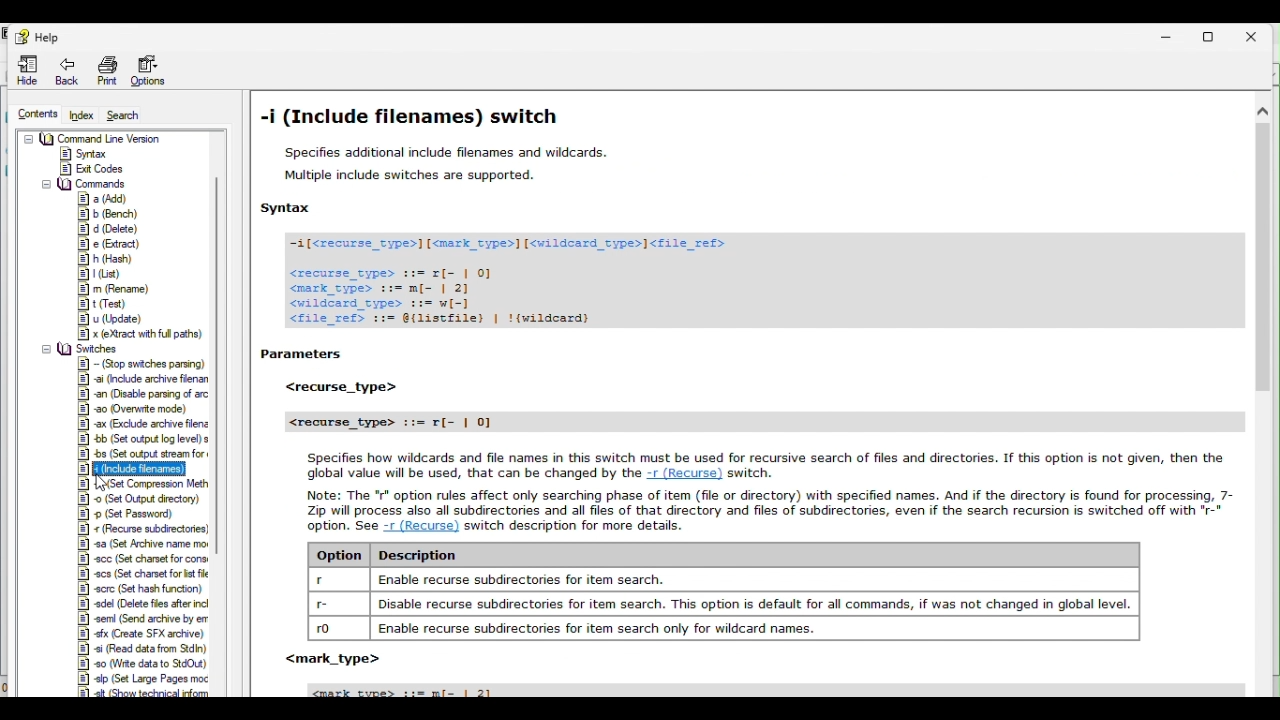 This screenshot has width=1280, height=720. I want to click on Command line version, so click(95, 138).